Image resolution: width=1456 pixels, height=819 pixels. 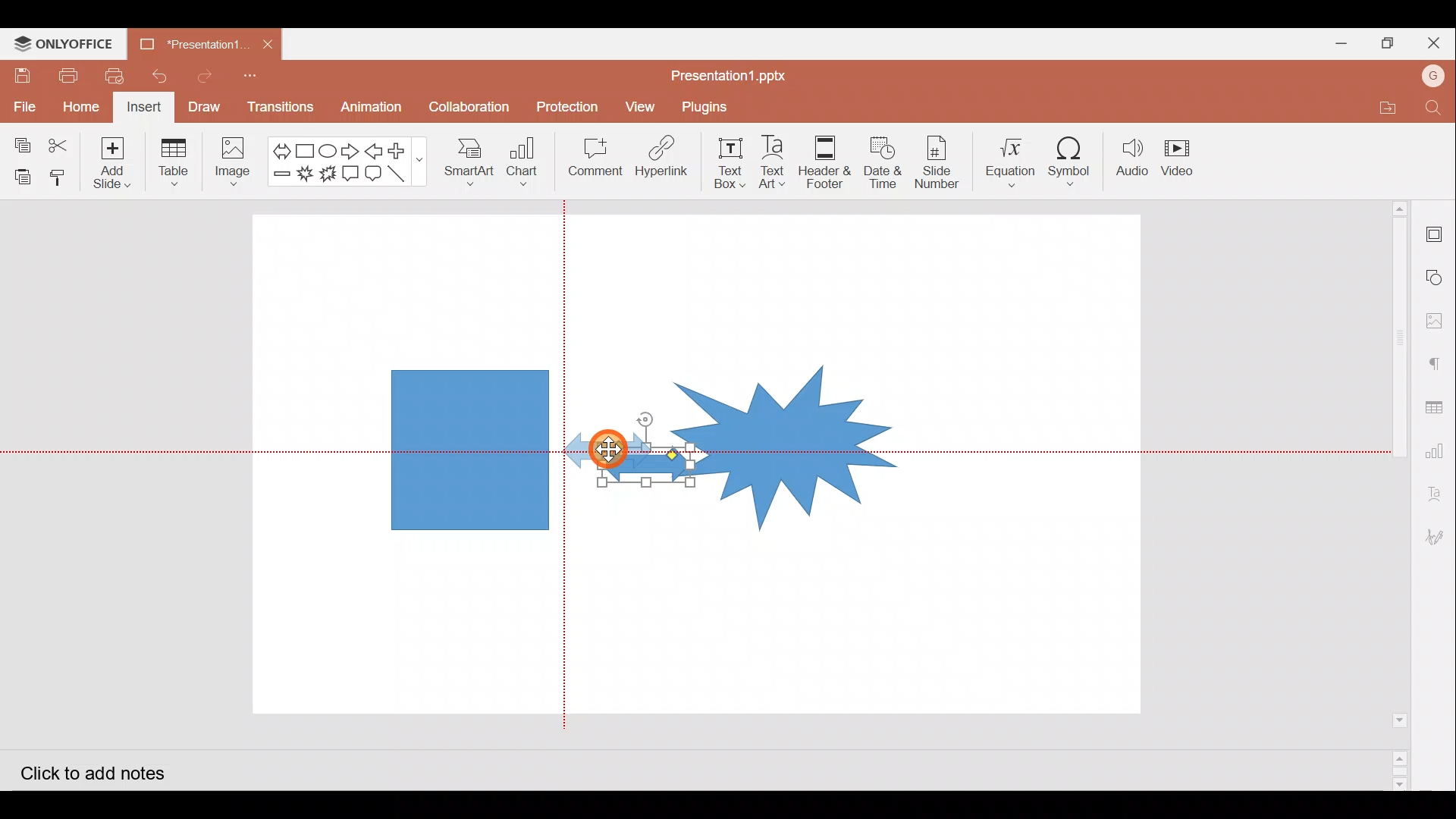 I want to click on Add slide, so click(x=119, y=163).